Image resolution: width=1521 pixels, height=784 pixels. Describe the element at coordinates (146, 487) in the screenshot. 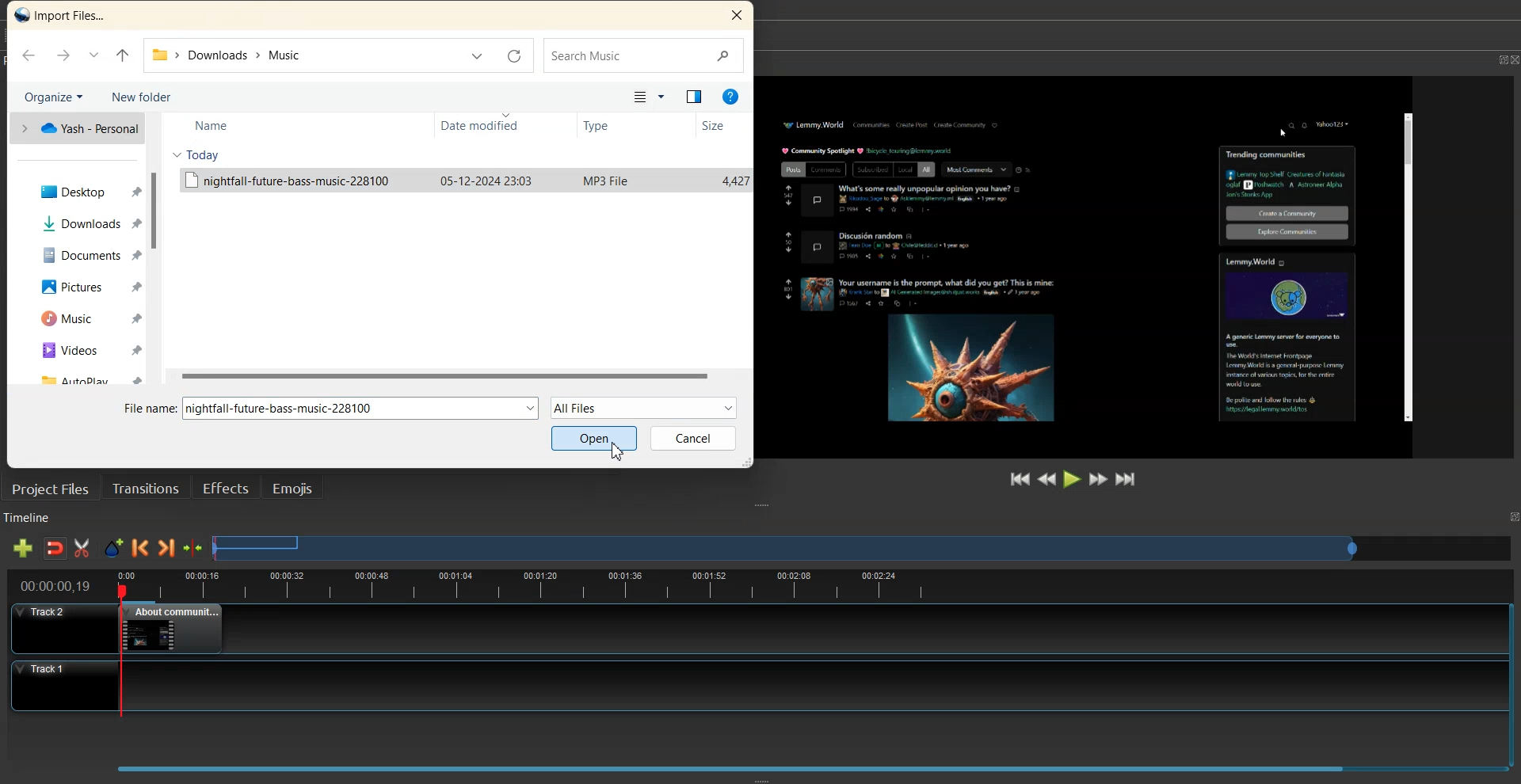

I see `Transition` at that location.